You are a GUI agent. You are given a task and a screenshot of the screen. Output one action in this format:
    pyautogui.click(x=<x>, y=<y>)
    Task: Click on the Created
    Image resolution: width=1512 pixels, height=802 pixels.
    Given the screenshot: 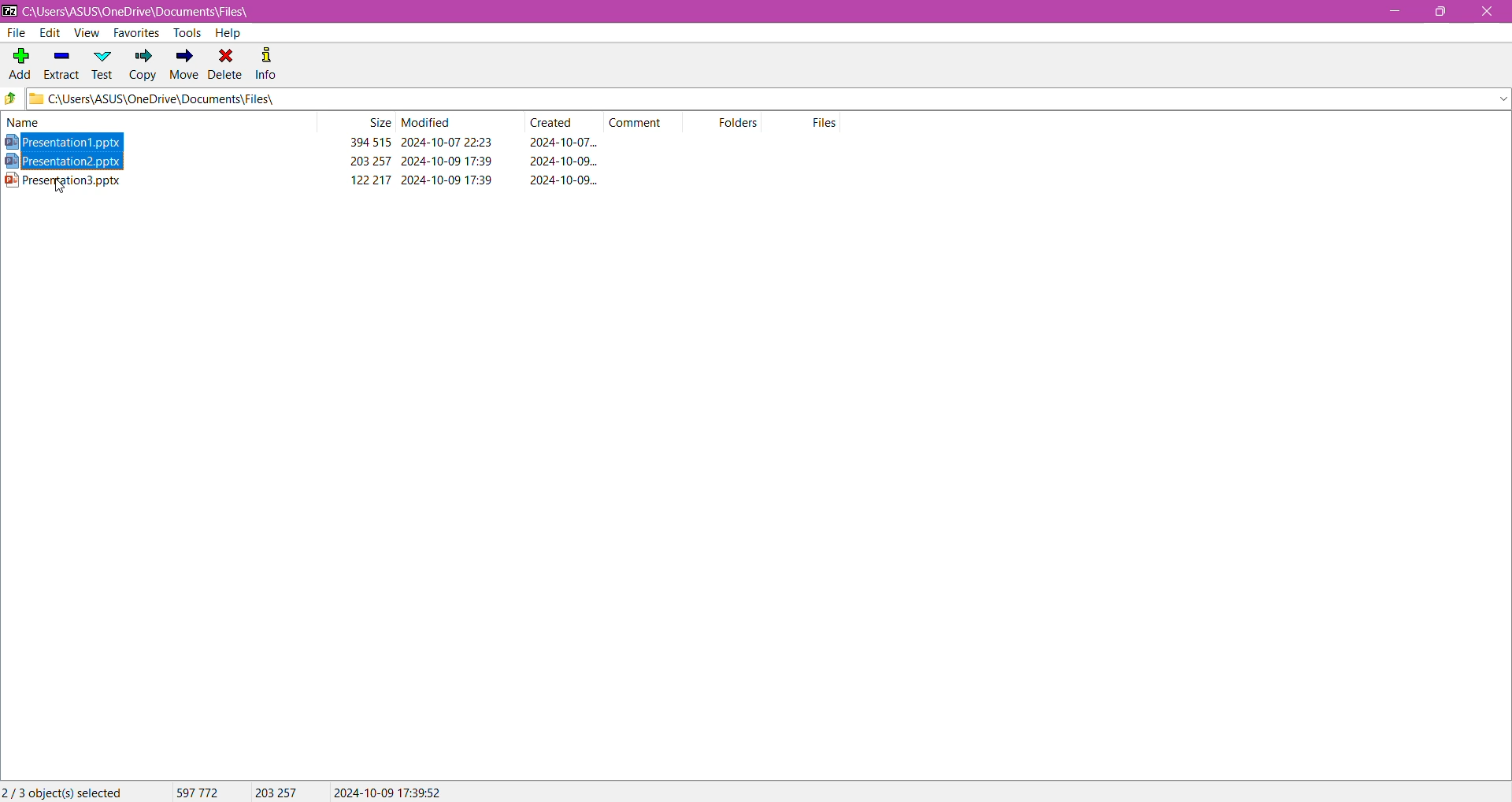 What is the action you would take?
    pyautogui.click(x=557, y=123)
    